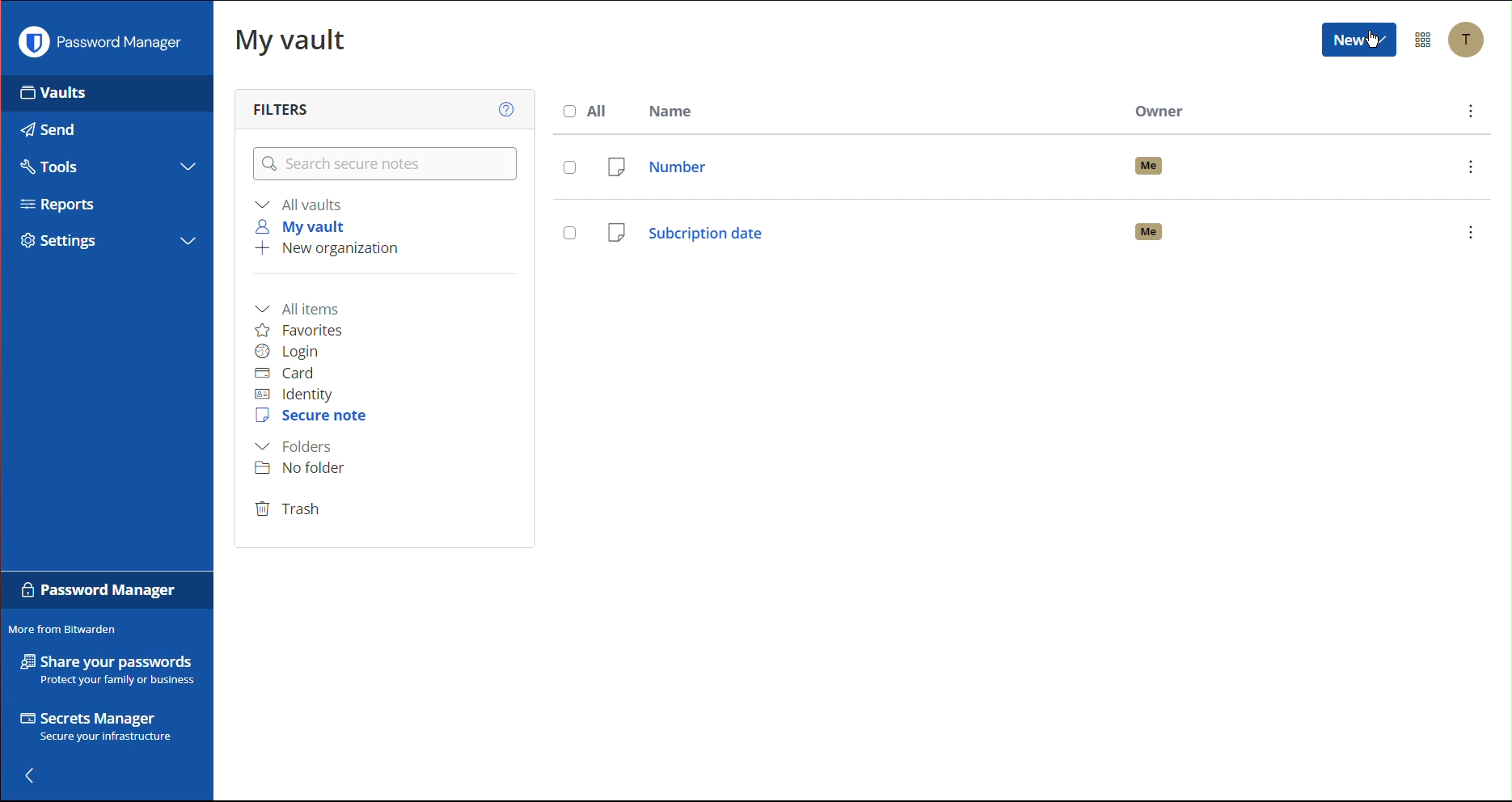 This screenshot has width=1512, height=802. Describe the element at coordinates (298, 394) in the screenshot. I see `Identity` at that location.